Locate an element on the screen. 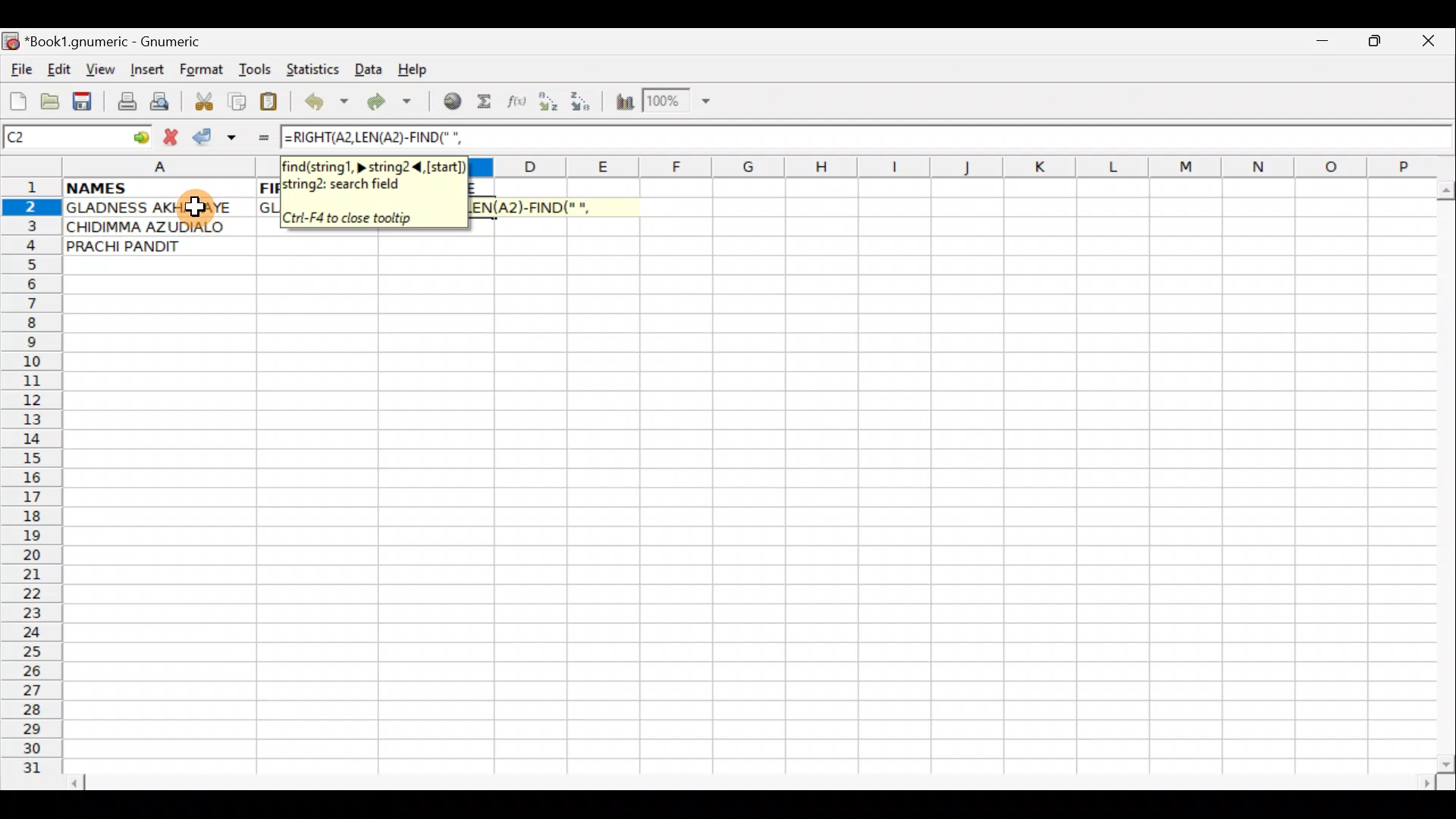 Image resolution: width=1456 pixels, height=819 pixels. Insert hyperlink is located at coordinates (450, 102).